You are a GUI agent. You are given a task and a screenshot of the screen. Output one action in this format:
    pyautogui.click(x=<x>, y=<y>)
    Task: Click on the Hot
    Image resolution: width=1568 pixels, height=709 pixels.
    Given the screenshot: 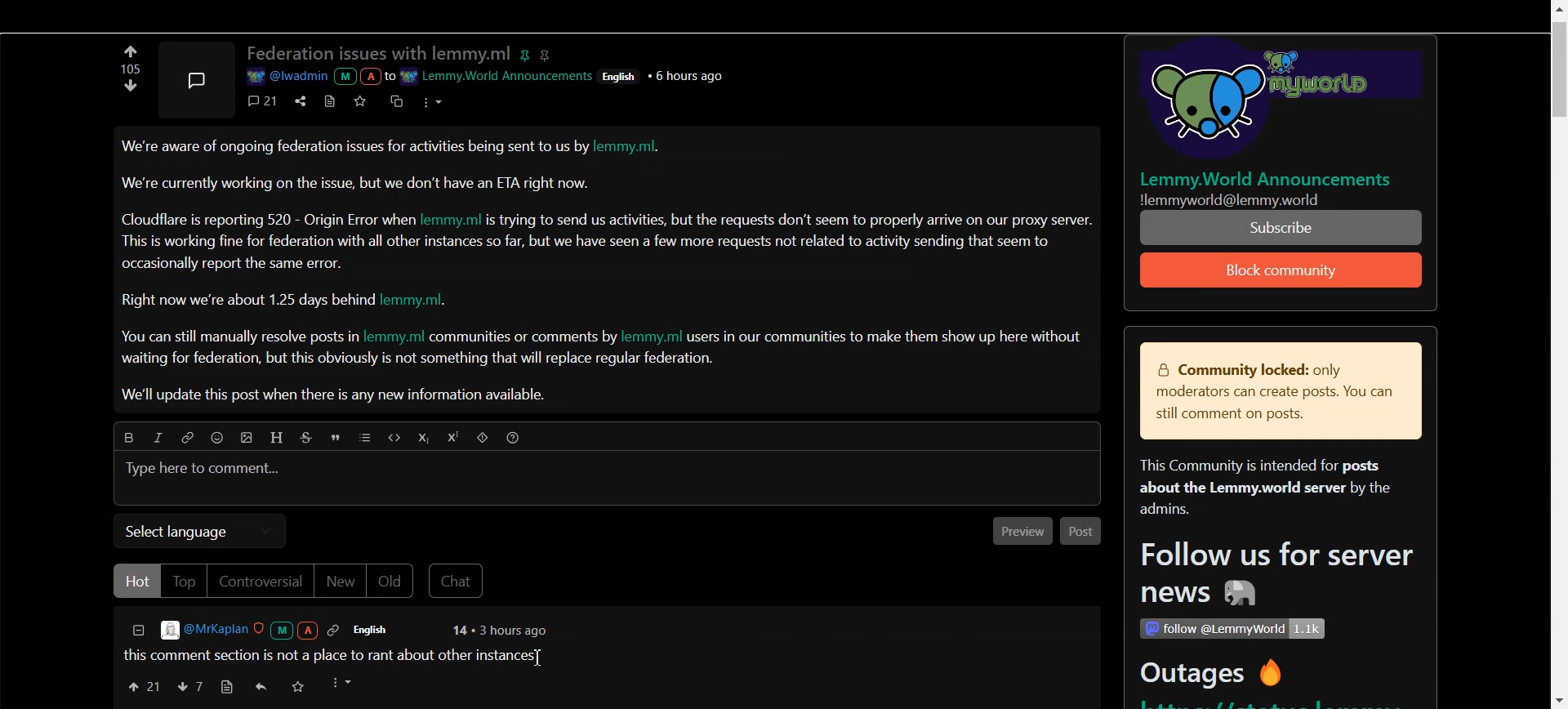 What is the action you would take?
    pyautogui.click(x=136, y=581)
    